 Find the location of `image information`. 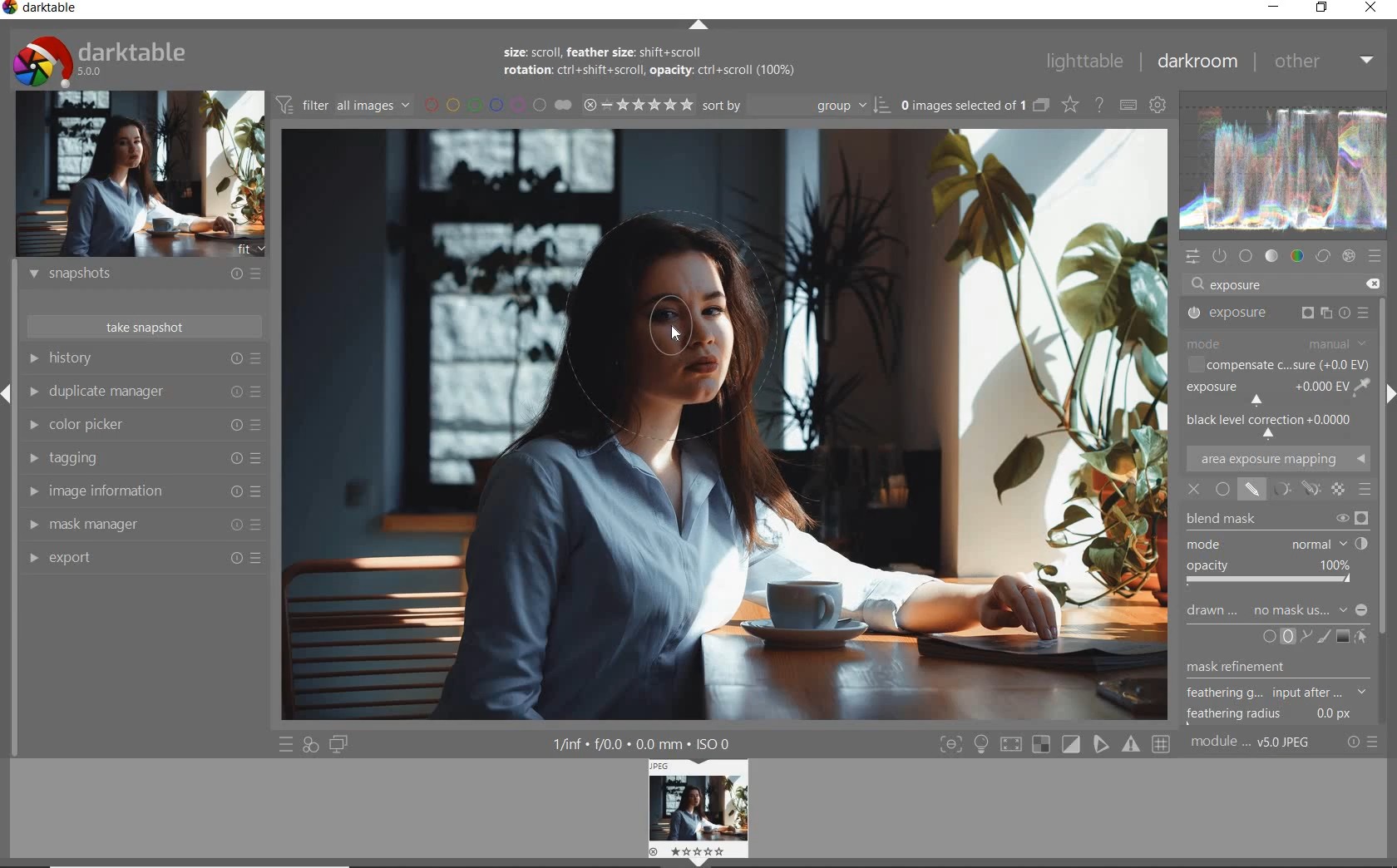

image information is located at coordinates (146, 490).